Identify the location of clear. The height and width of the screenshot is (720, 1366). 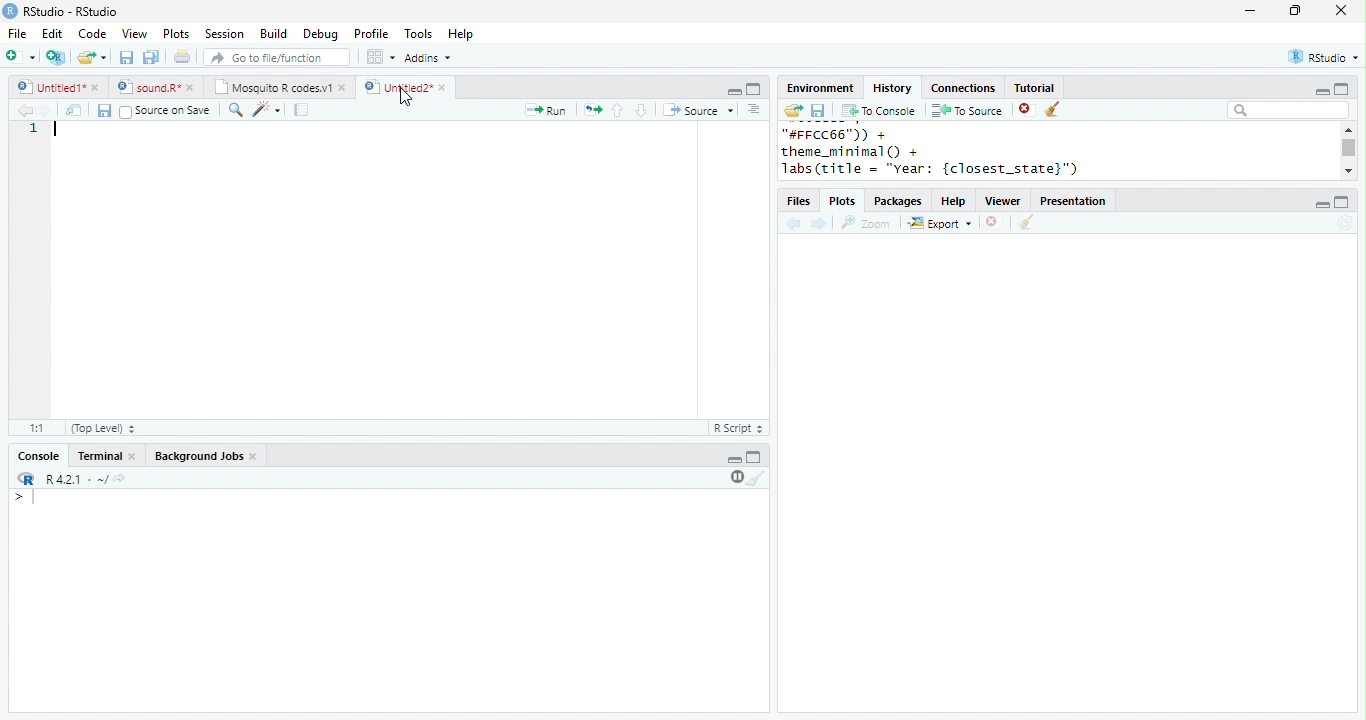
(1052, 109).